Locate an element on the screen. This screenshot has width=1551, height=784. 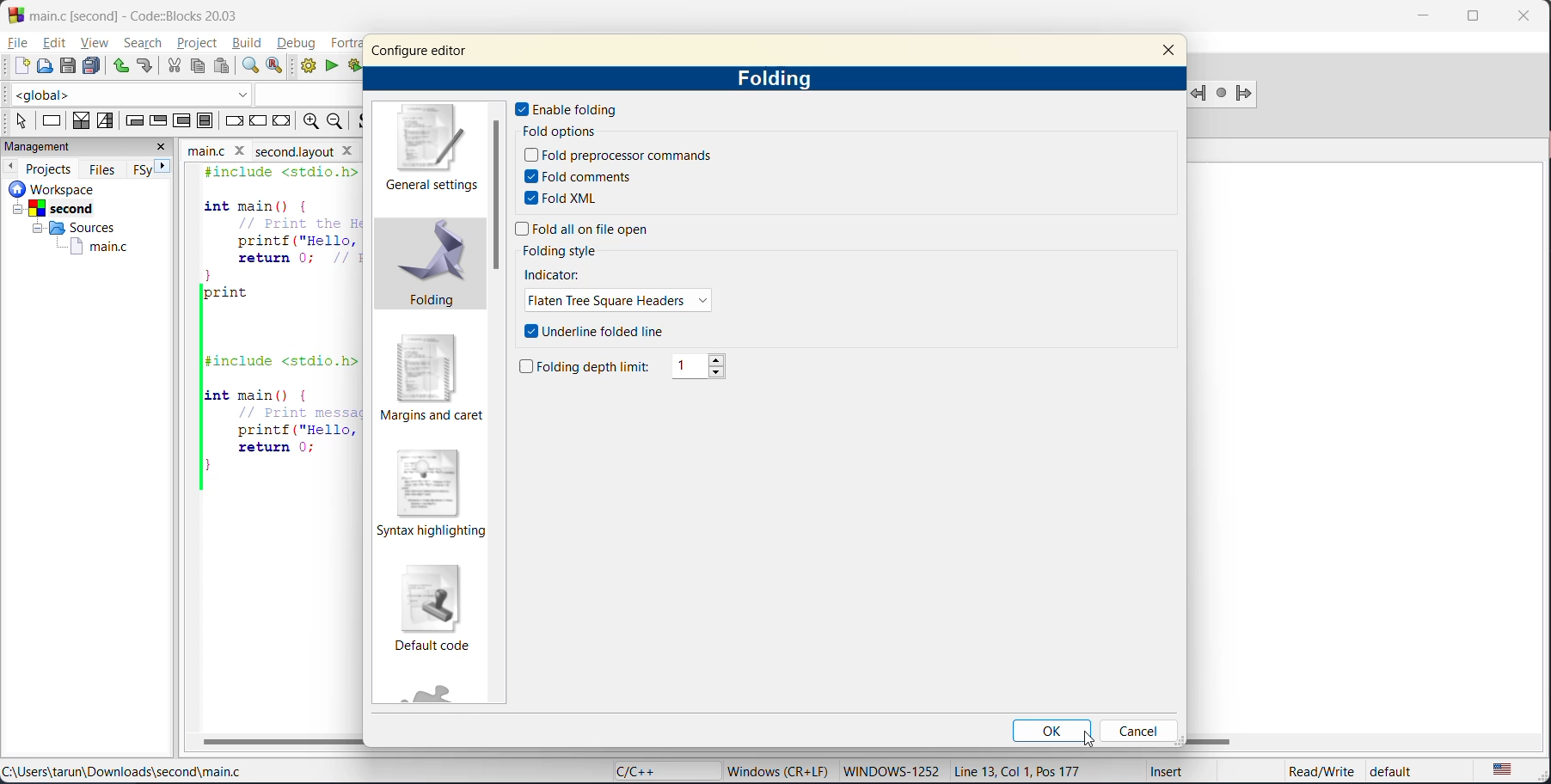
Line 13, Col 1, Pos 177 is located at coordinates (1027, 769).